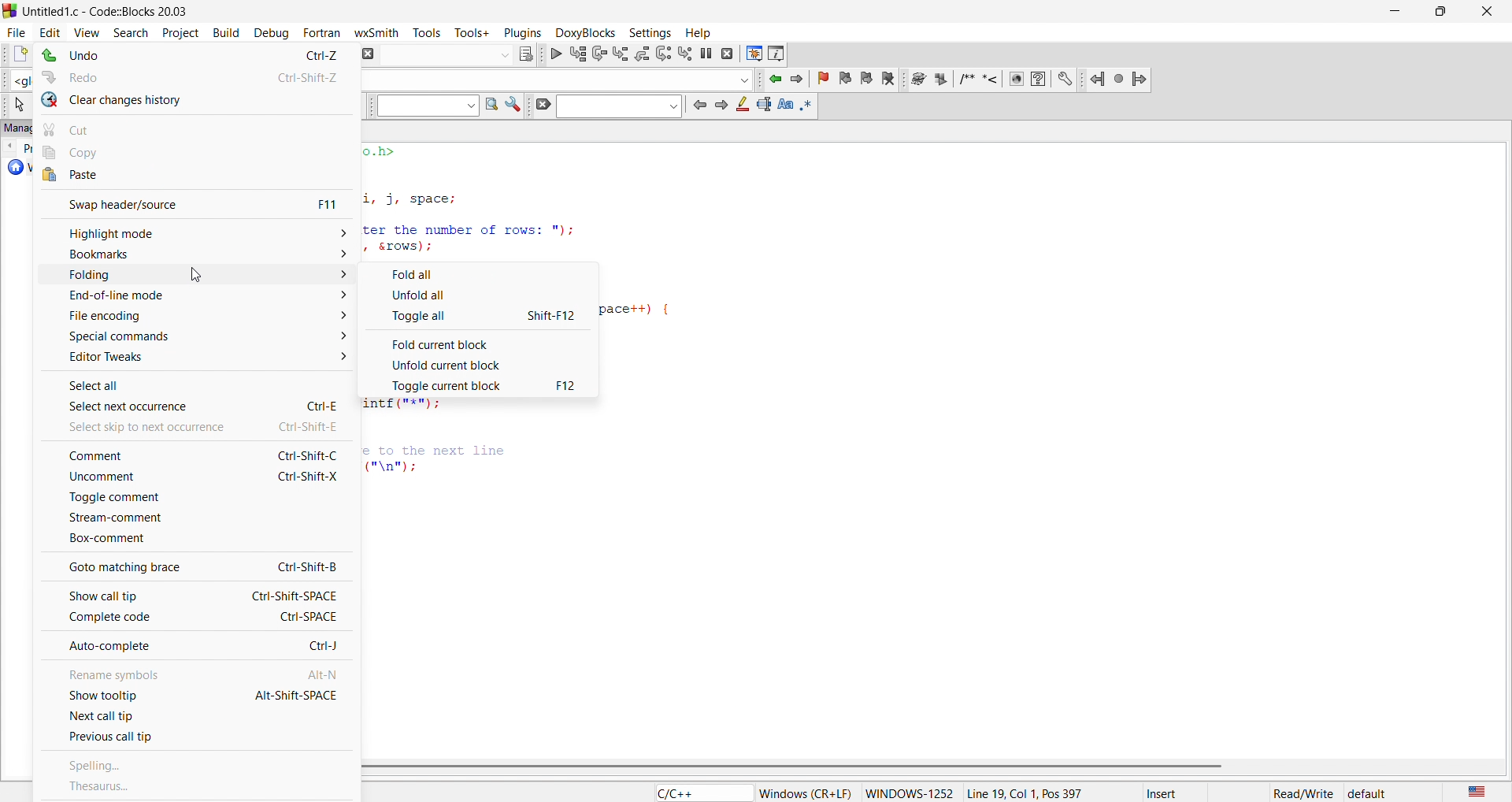 This screenshot has width=1512, height=802. I want to click on paste, so click(196, 176).